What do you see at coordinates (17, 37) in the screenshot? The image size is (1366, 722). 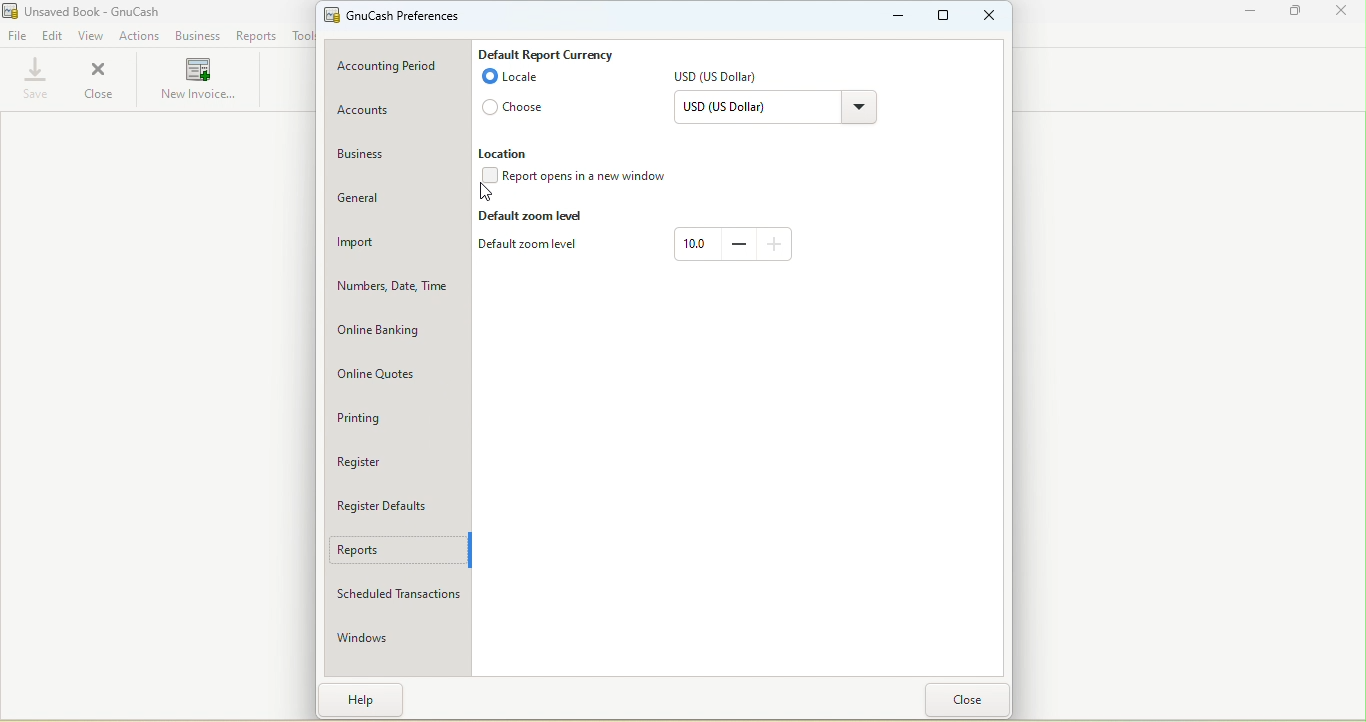 I see `File` at bounding box center [17, 37].